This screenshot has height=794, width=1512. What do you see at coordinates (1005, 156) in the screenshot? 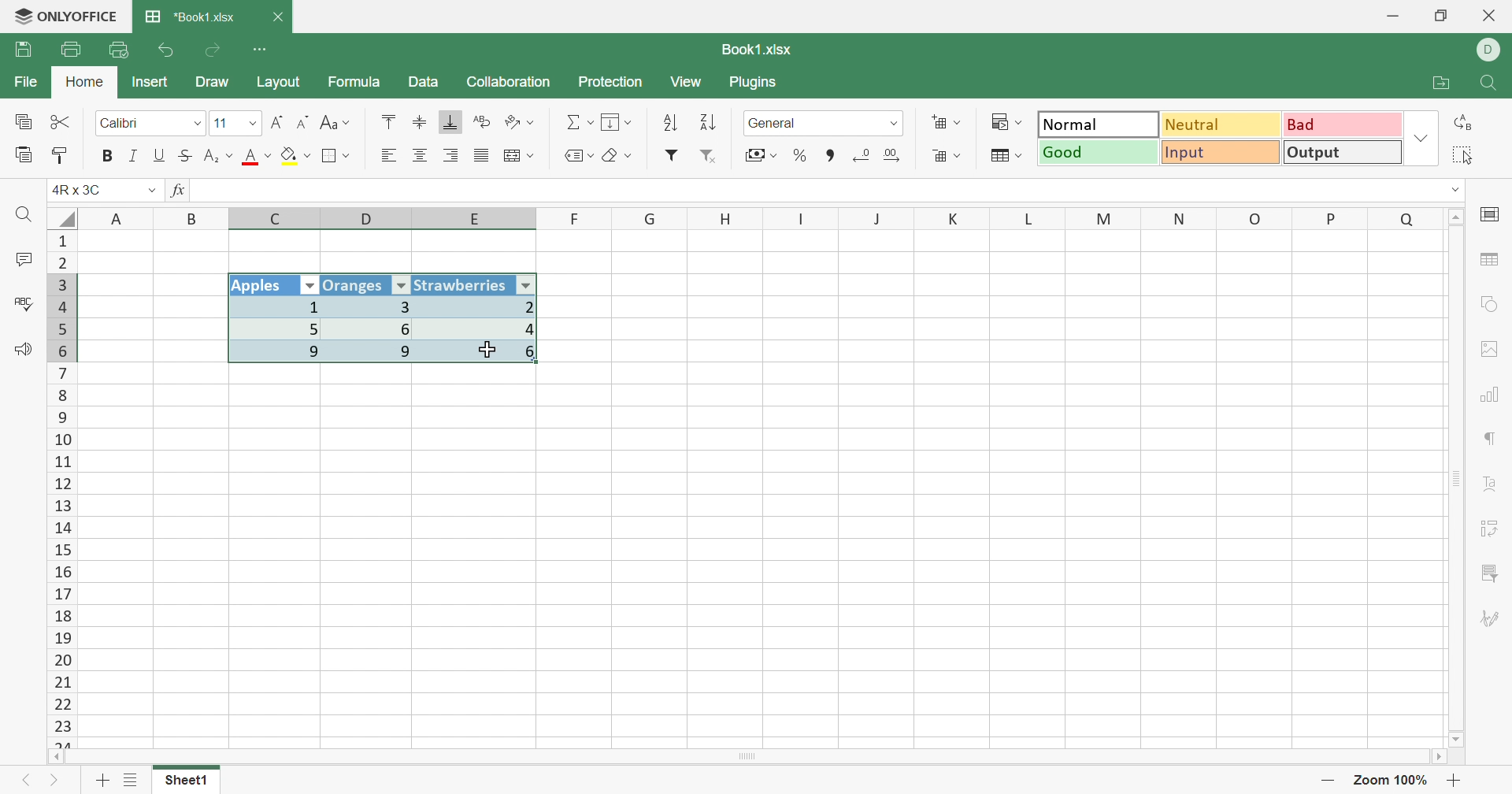
I see `Format as table template` at bounding box center [1005, 156].